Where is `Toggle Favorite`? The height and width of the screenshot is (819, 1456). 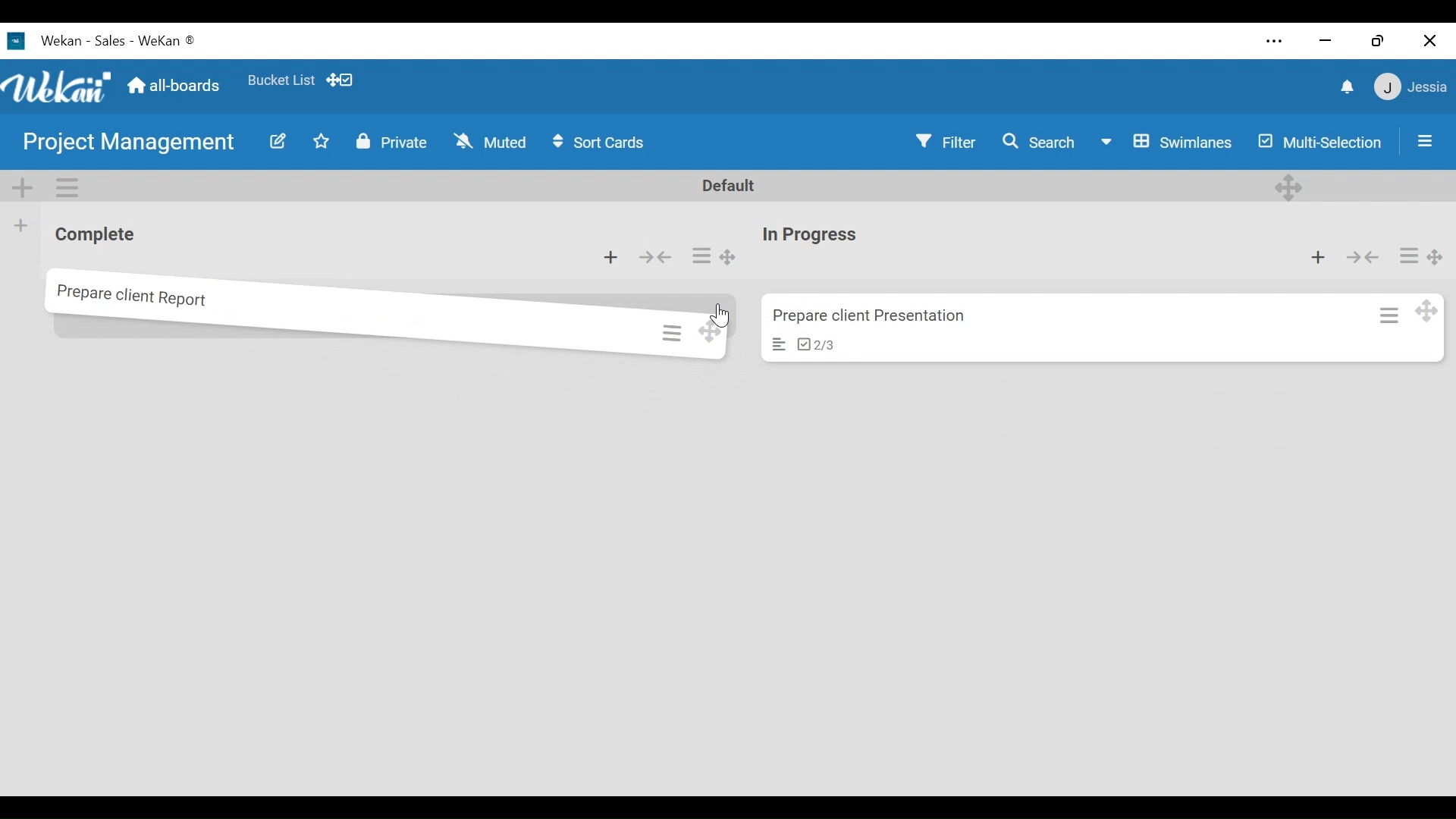 Toggle Favorite is located at coordinates (318, 143).